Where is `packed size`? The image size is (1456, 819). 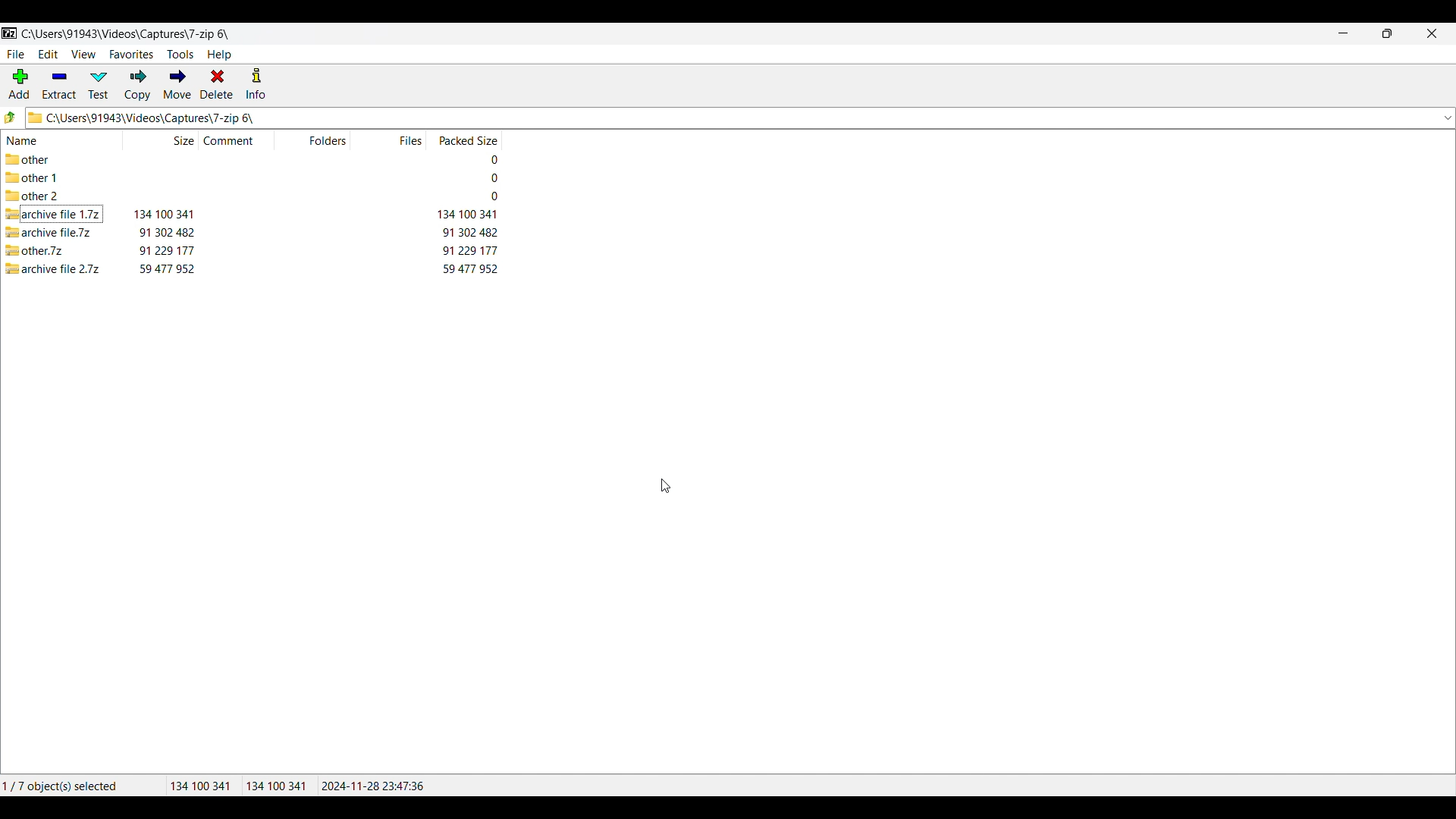 packed size is located at coordinates (470, 249).